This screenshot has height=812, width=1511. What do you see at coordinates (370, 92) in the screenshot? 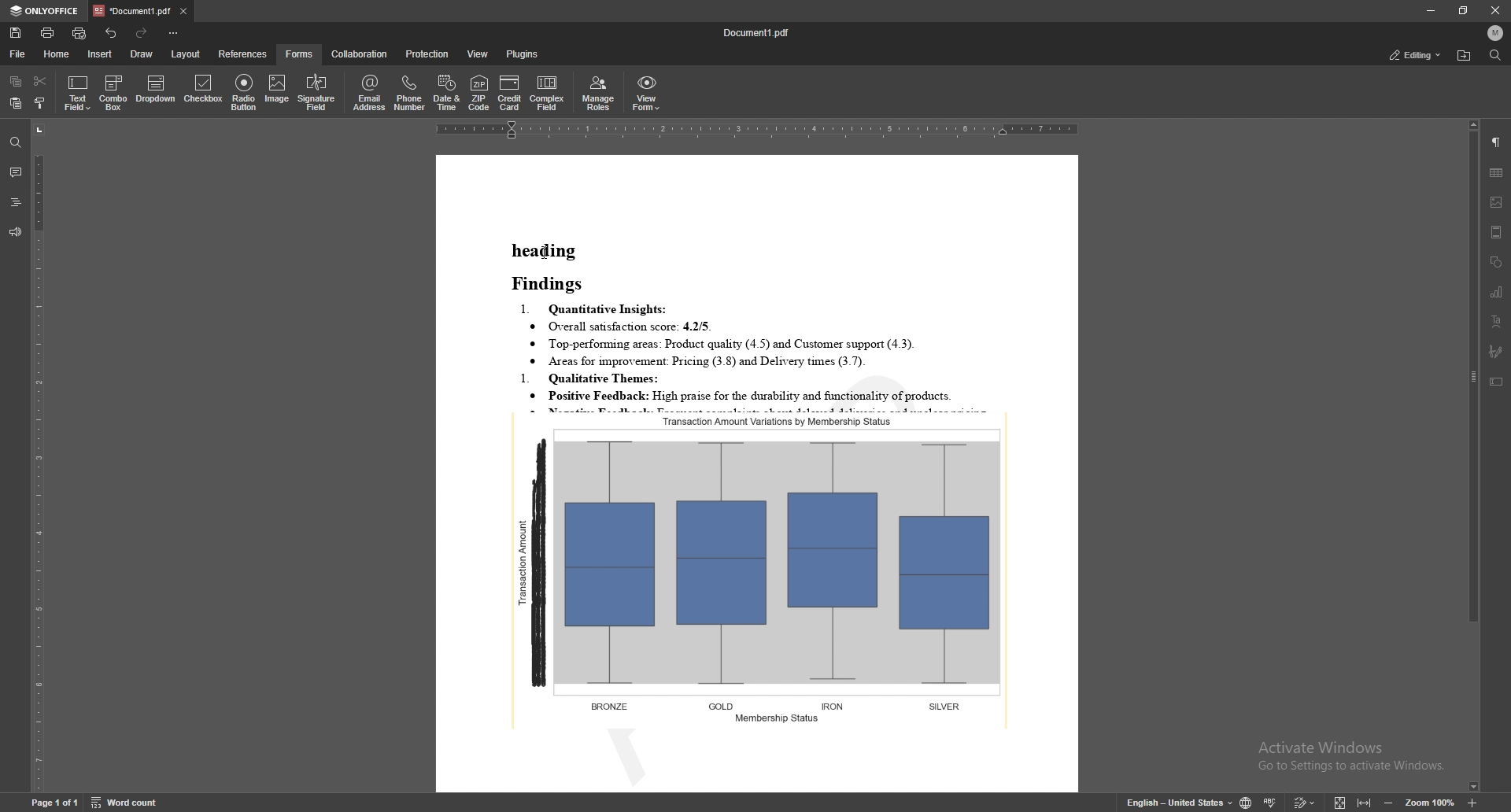
I see `email address` at bounding box center [370, 92].